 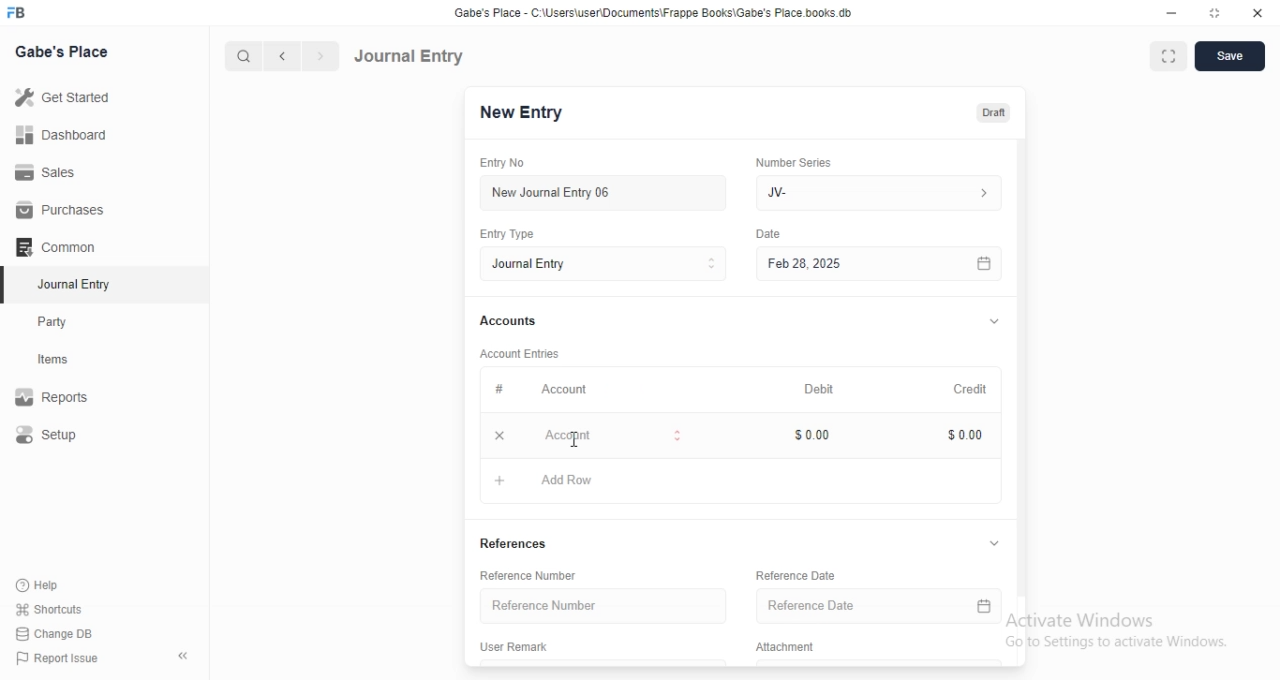 I want to click on Add Row, so click(x=552, y=482).